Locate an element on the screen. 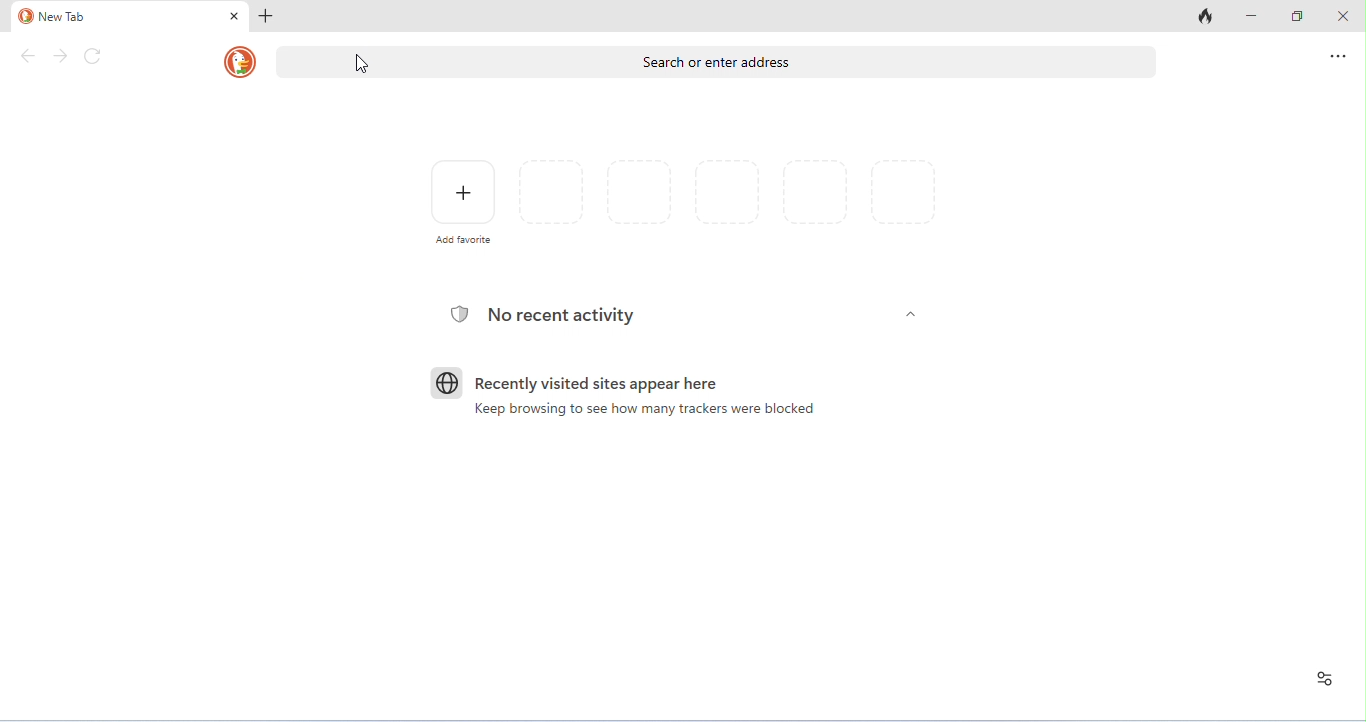  add favorite is located at coordinates (465, 202).